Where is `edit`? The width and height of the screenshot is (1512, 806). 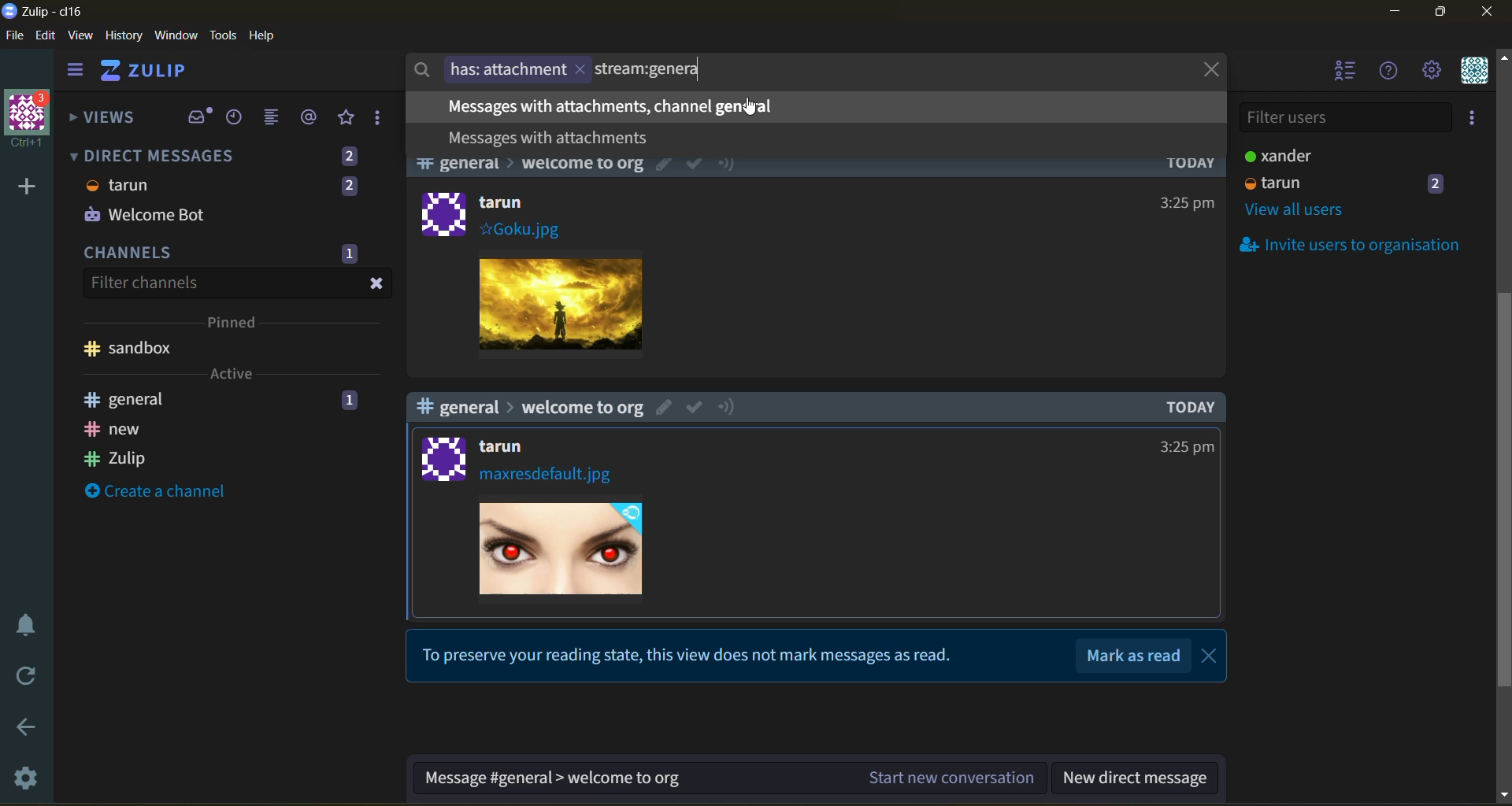
edit is located at coordinates (46, 36).